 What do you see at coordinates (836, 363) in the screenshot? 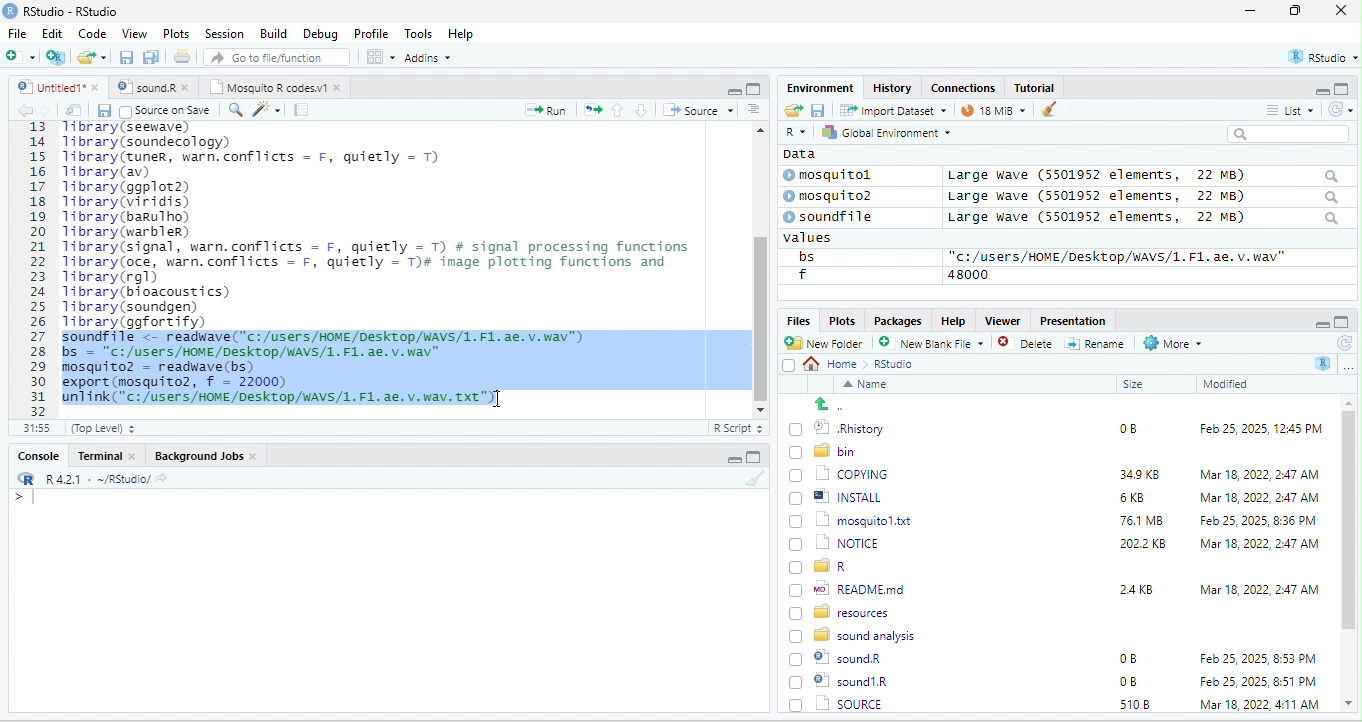
I see ` Home` at bounding box center [836, 363].